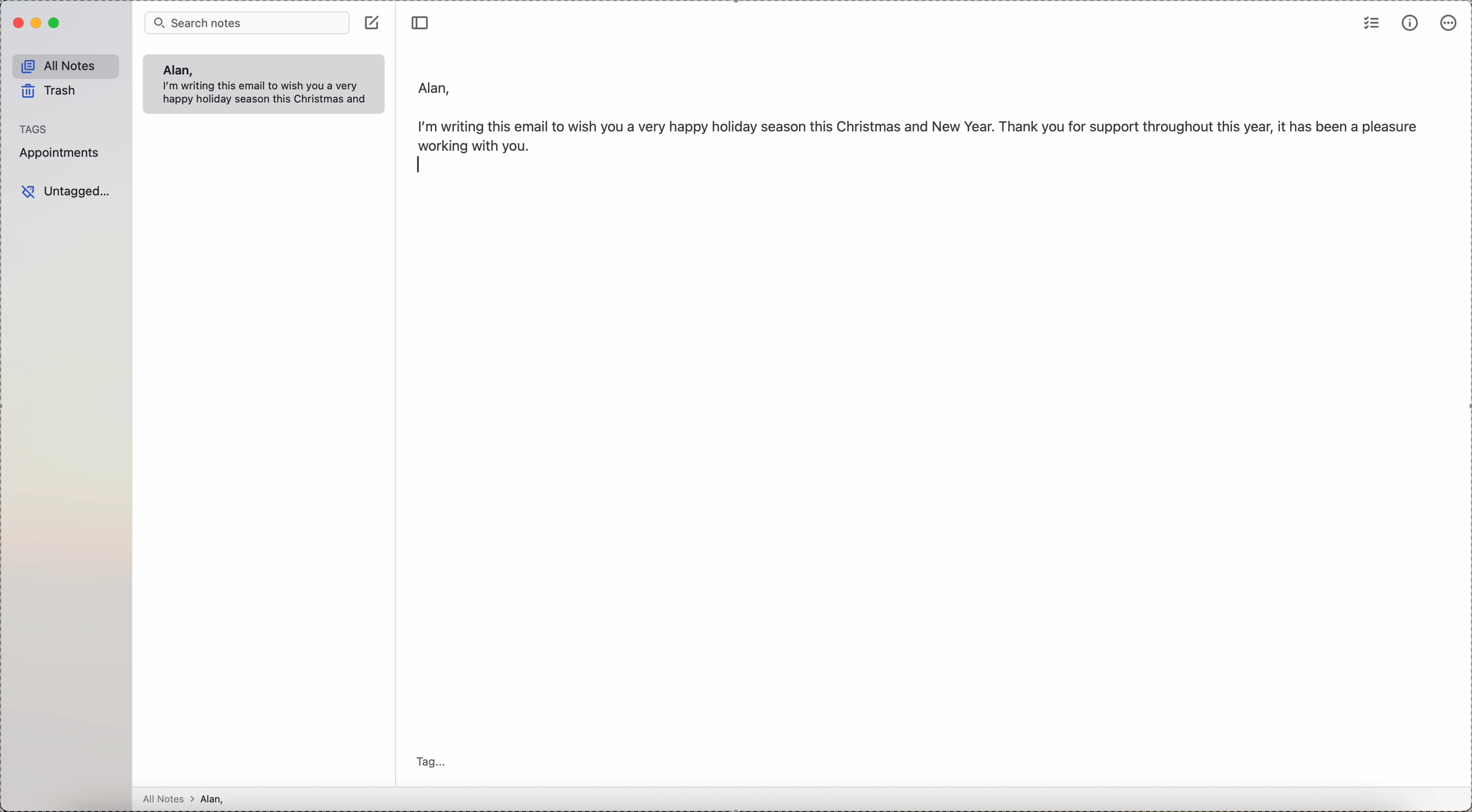  Describe the element at coordinates (269, 94) in the screenshot. I see `body text: I'm writing this email to wish you a very happy holiday season this Christmas and` at that location.